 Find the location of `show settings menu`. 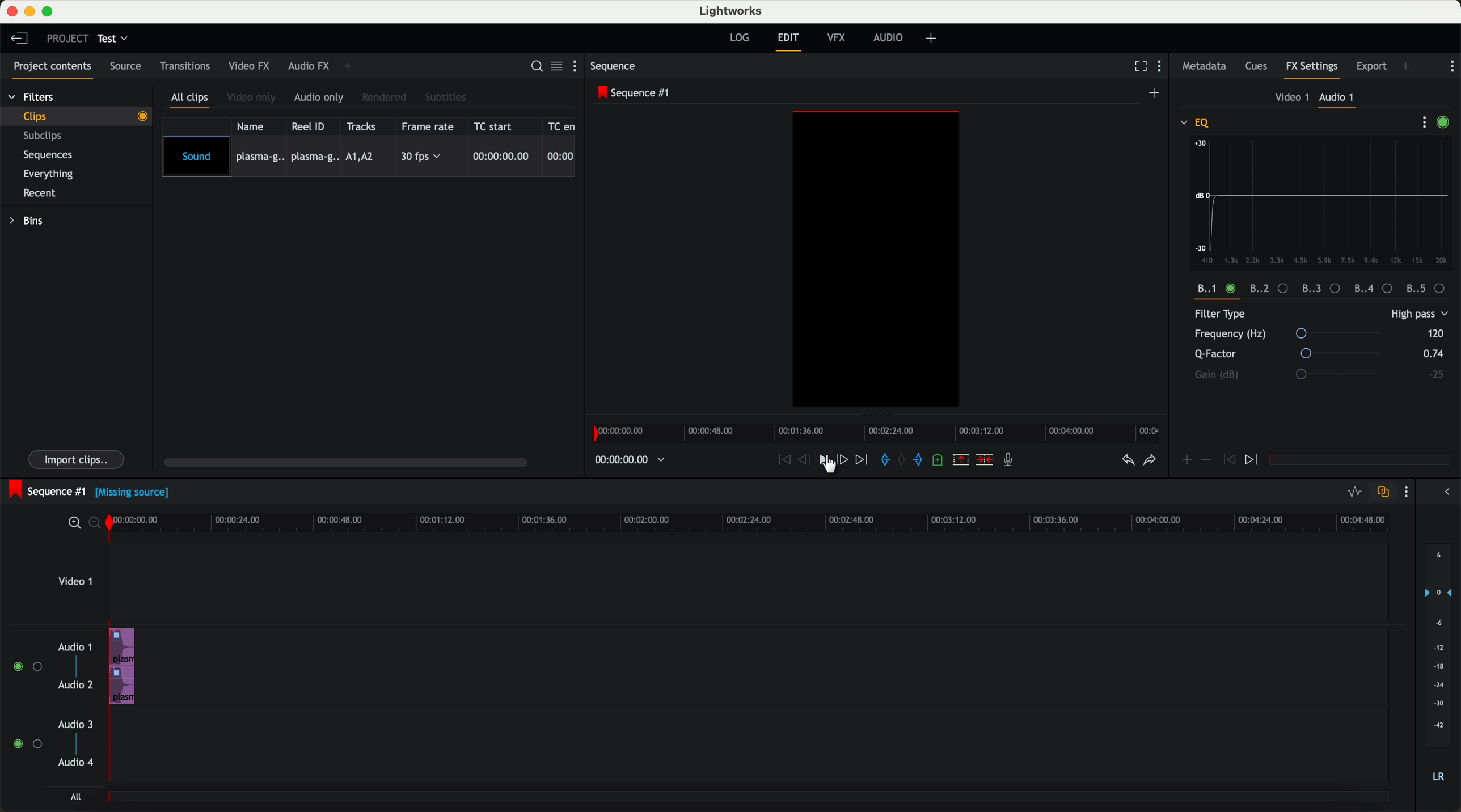

show settings menu is located at coordinates (1452, 66).